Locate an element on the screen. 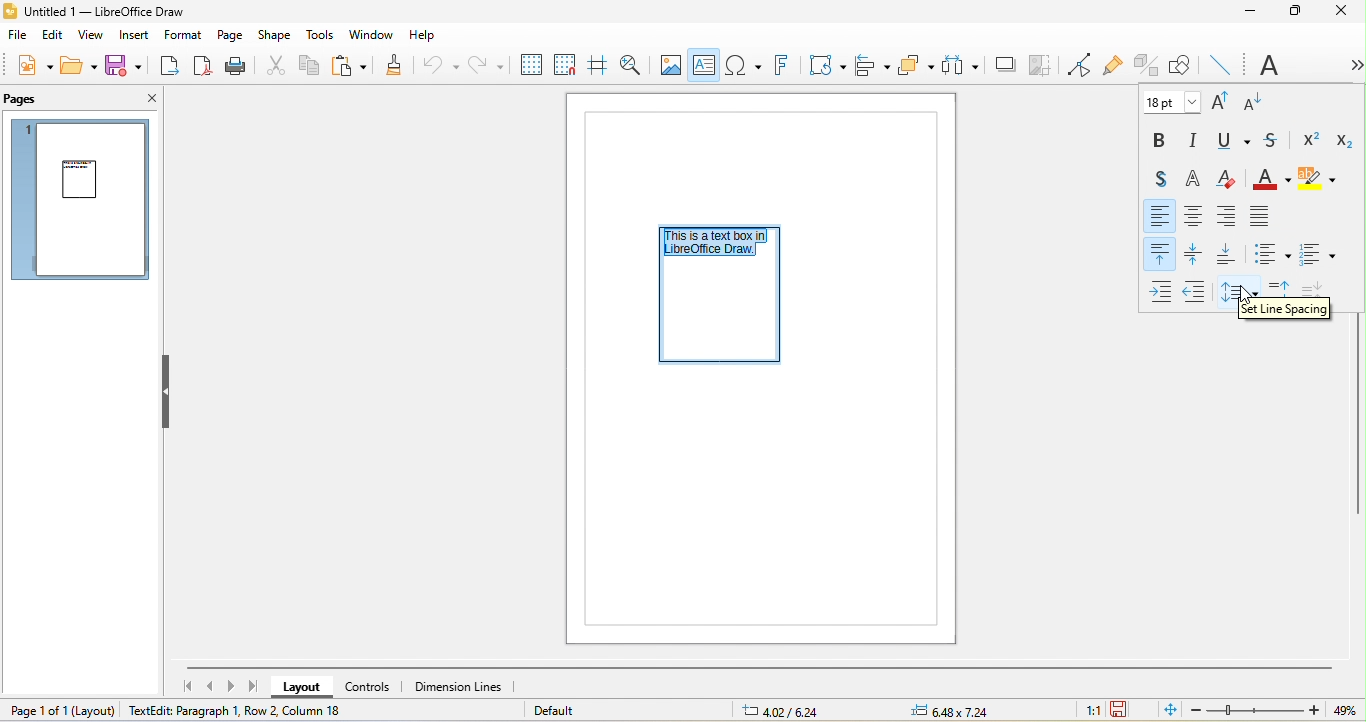 The height and width of the screenshot is (722, 1366). clear direct formatting is located at coordinates (1232, 178).